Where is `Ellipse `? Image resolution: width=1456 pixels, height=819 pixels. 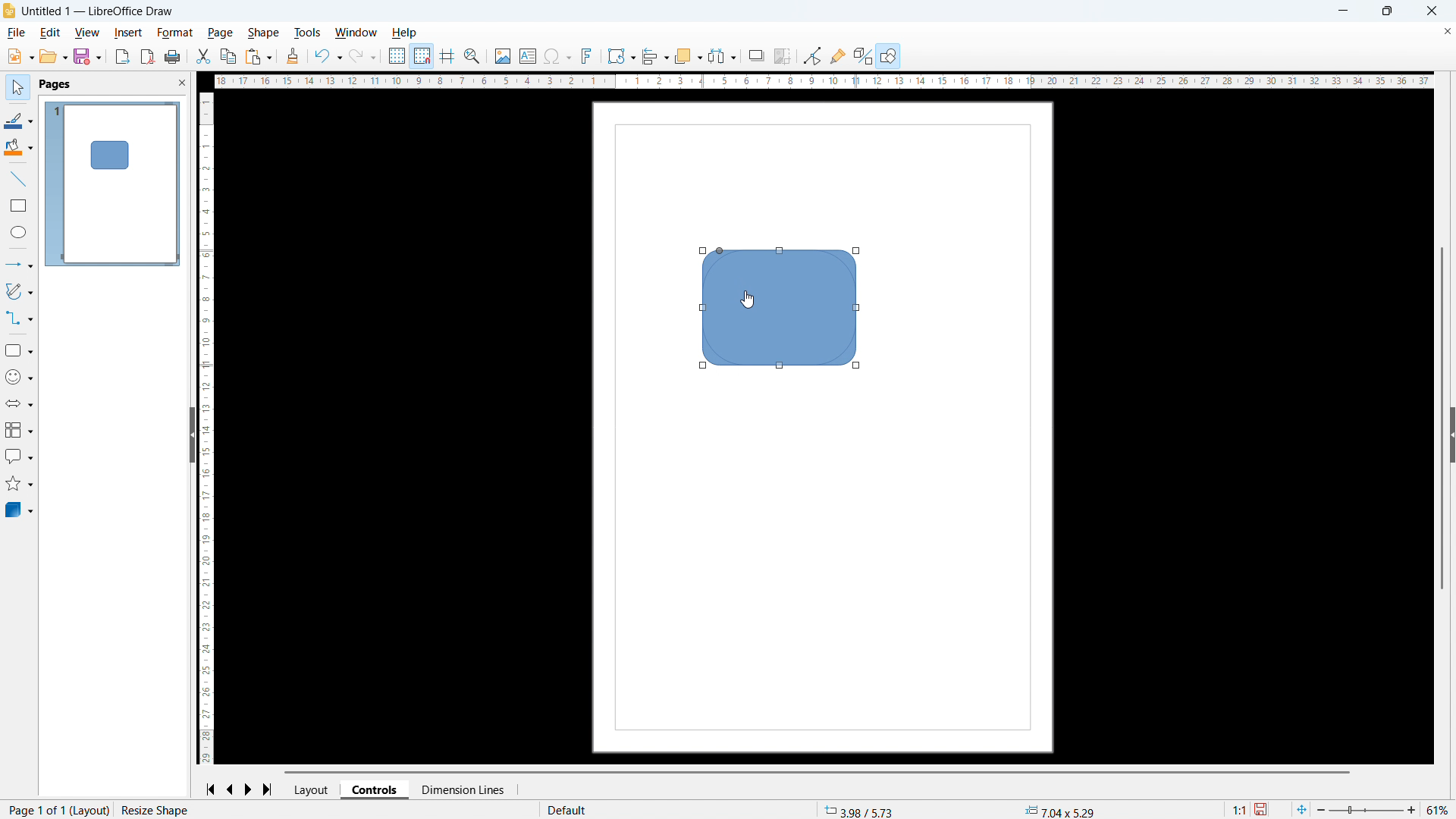
Ellipse  is located at coordinates (19, 232).